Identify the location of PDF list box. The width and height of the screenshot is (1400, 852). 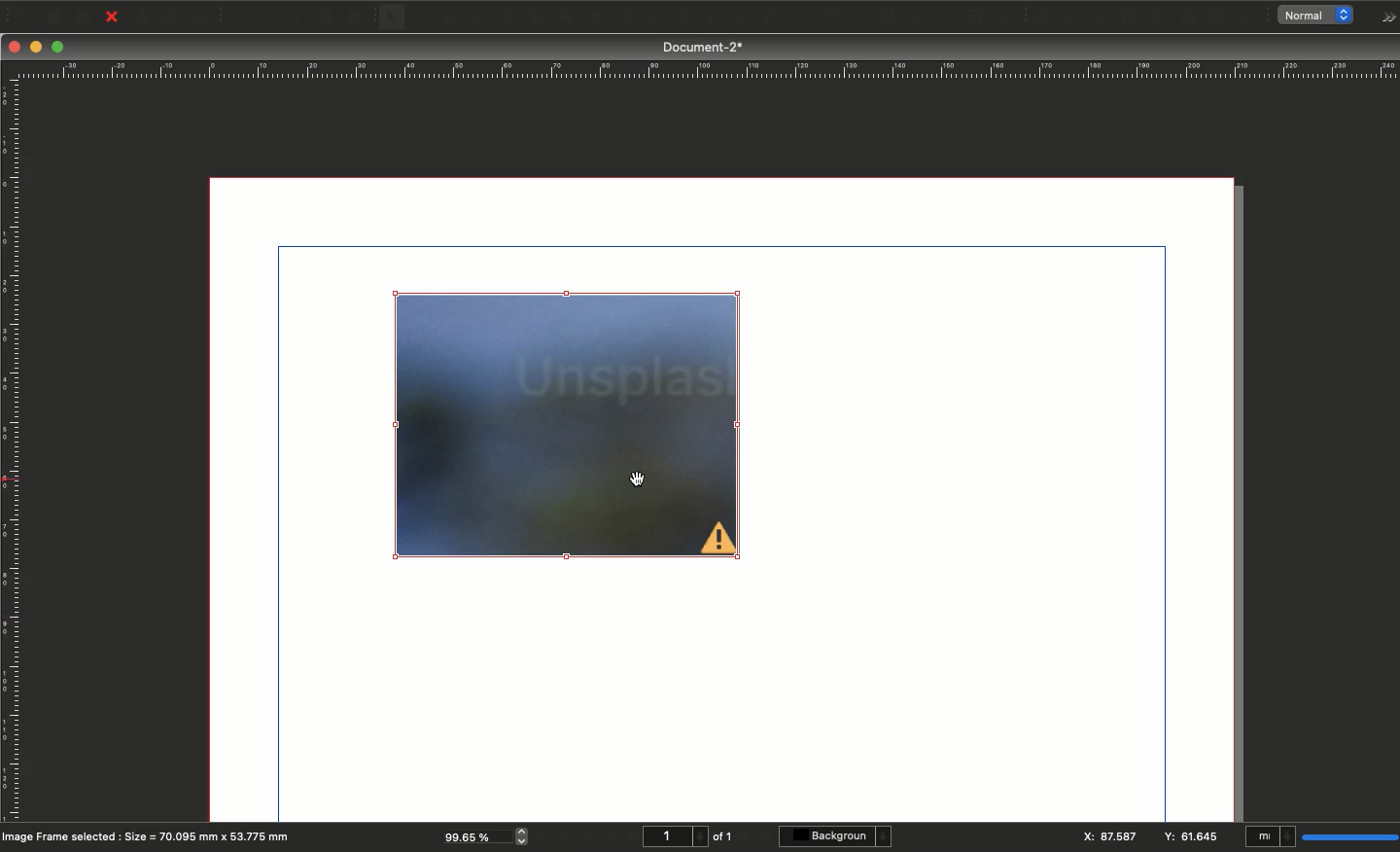
(1189, 18).